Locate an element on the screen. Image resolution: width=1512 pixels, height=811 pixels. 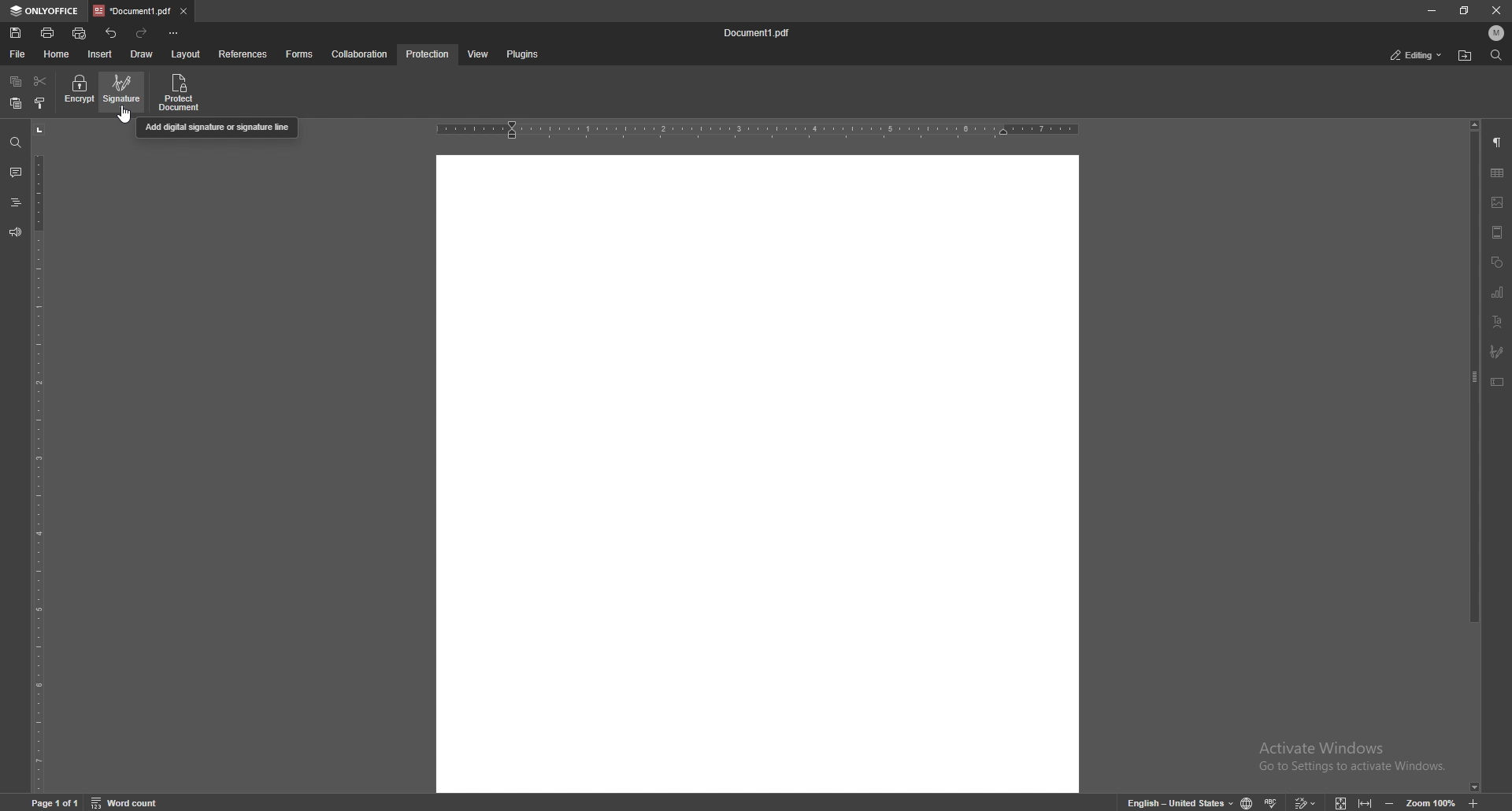
text box is located at coordinates (1497, 382).